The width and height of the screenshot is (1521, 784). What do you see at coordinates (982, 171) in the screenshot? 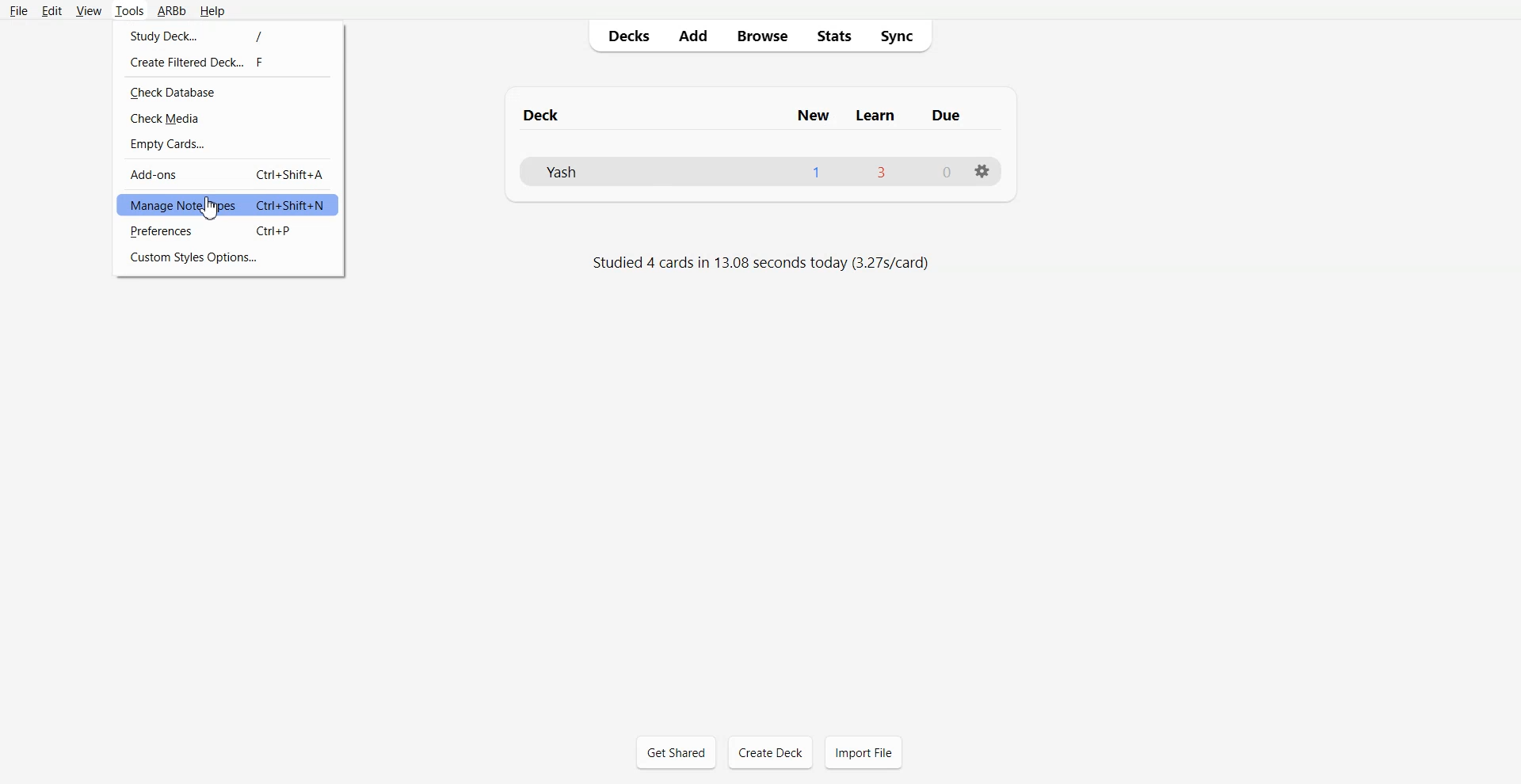
I see `Settings` at bounding box center [982, 171].